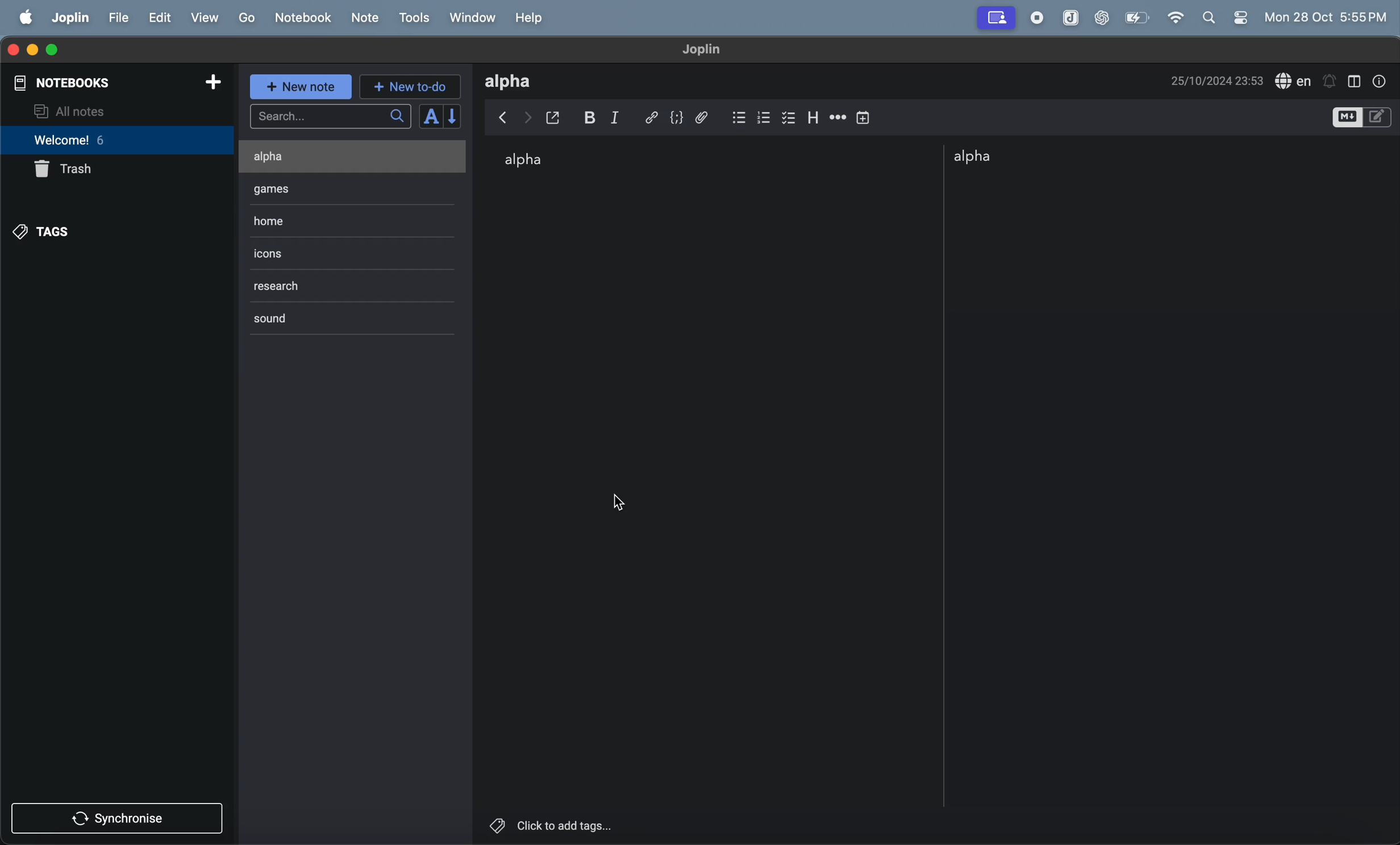  What do you see at coordinates (1383, 80) in the screenshot?
I see `note properties` at bounding box center [1383, 80].